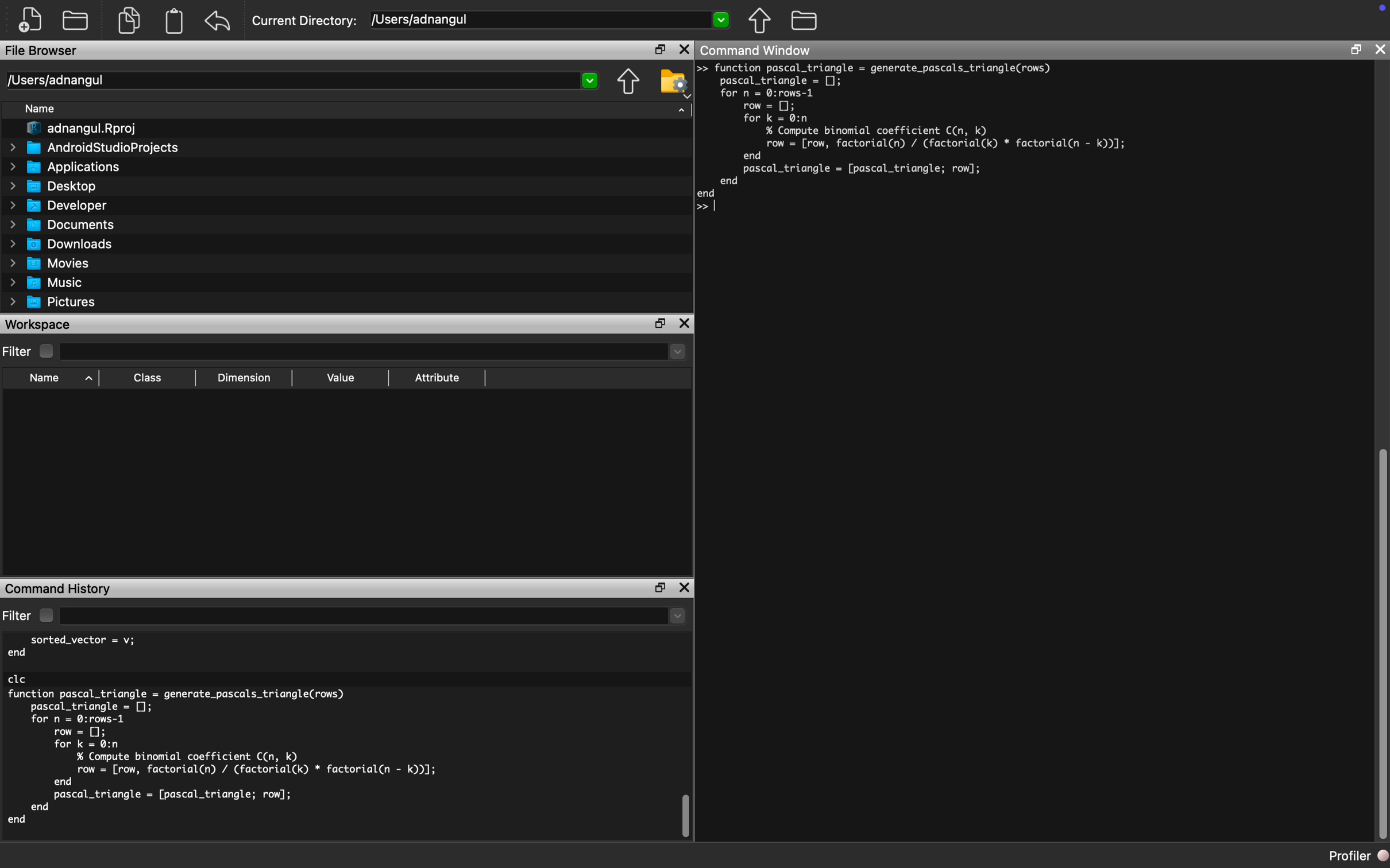  I want to click on Restore Down, so click(659, 49).